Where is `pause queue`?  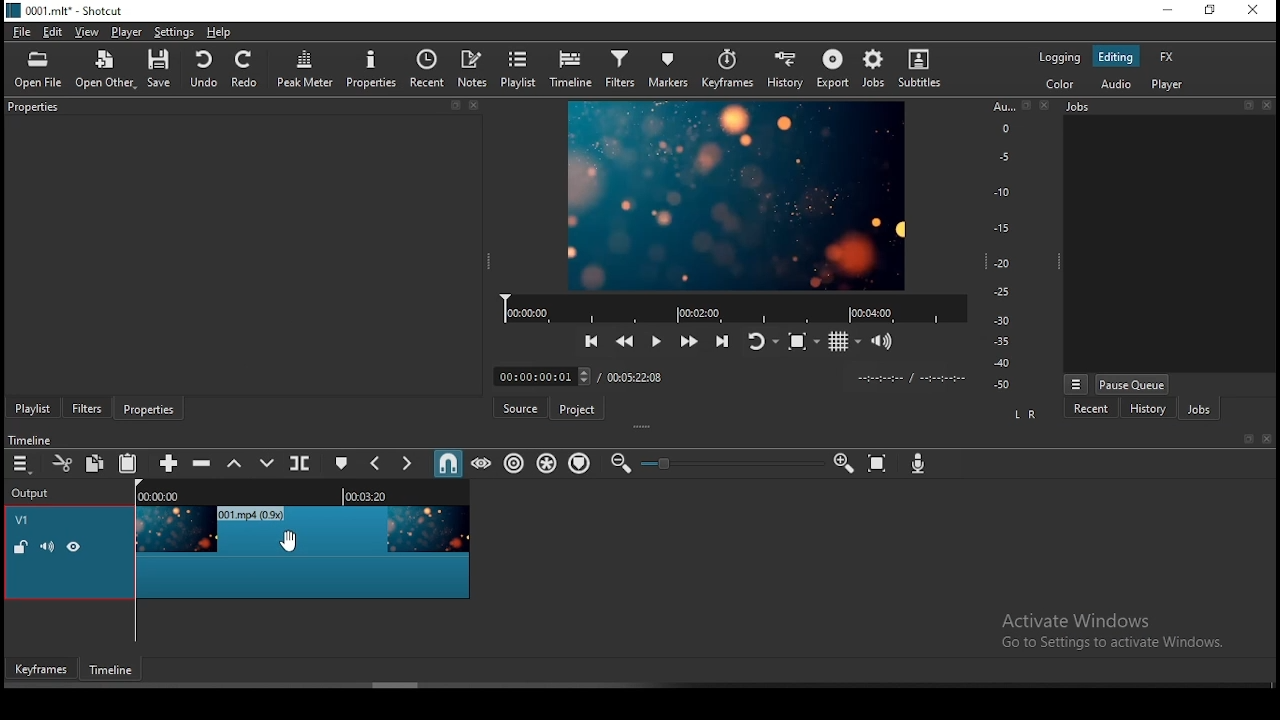 pause queue is located at coordinates (1132, 386).